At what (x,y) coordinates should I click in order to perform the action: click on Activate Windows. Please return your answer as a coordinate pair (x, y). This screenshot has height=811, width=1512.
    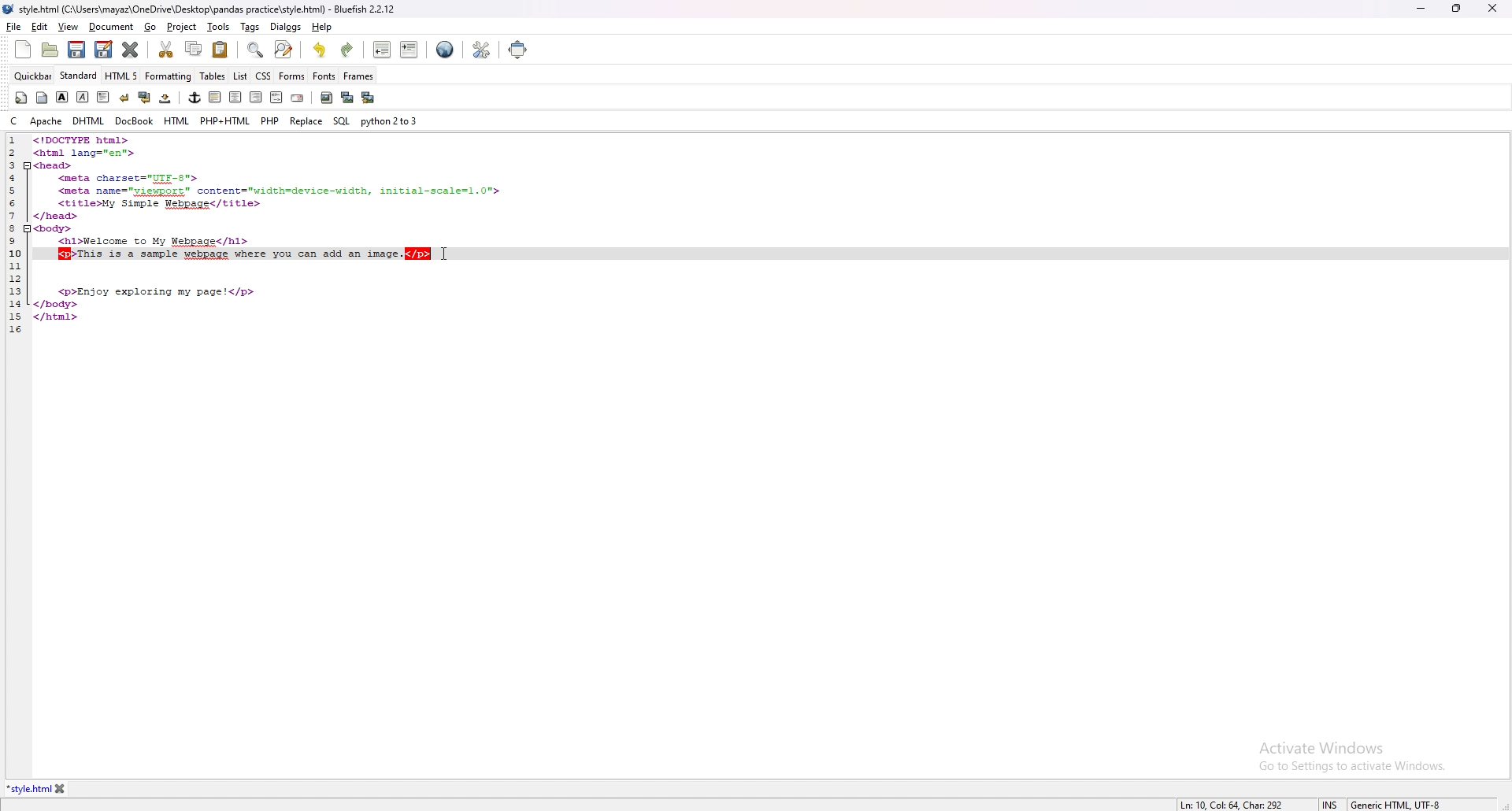
    Looking at the image, I should click on (1322, 748).